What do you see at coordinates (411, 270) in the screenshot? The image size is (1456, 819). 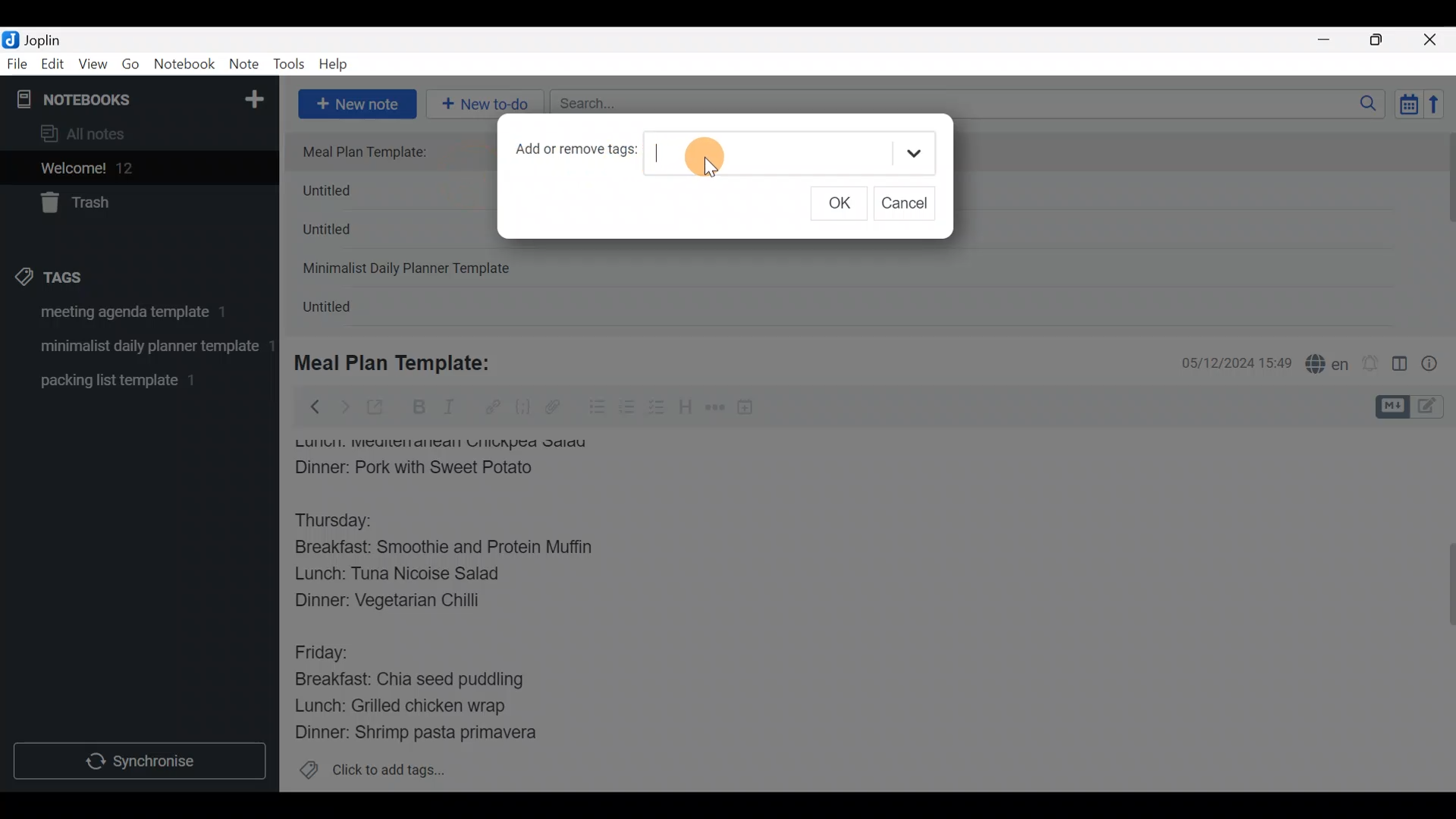 I see `Minimalist Daily Planner Template` at bounding box center [411, 270].